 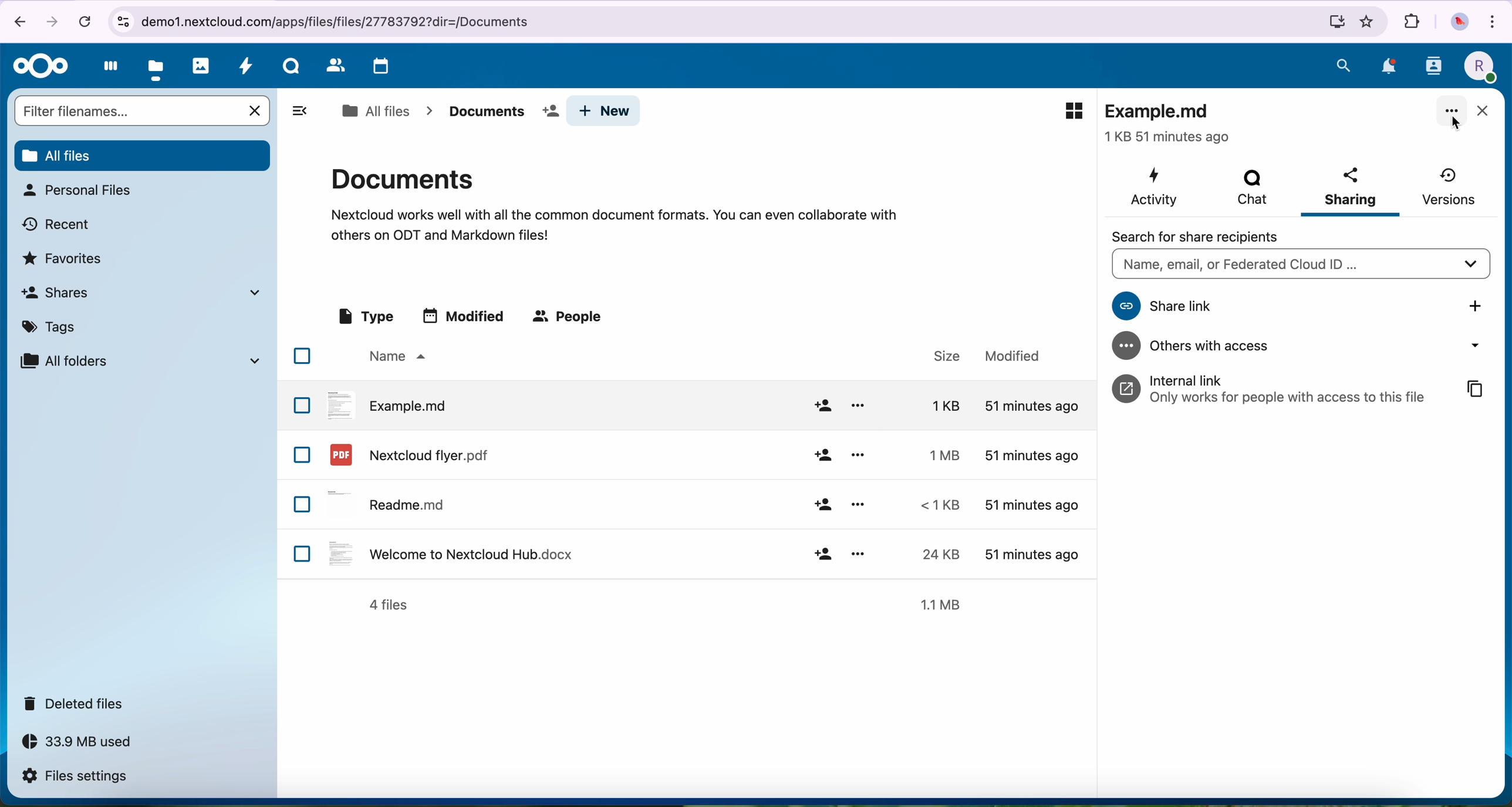 I want to click on close, so click(x=1481, y=112).